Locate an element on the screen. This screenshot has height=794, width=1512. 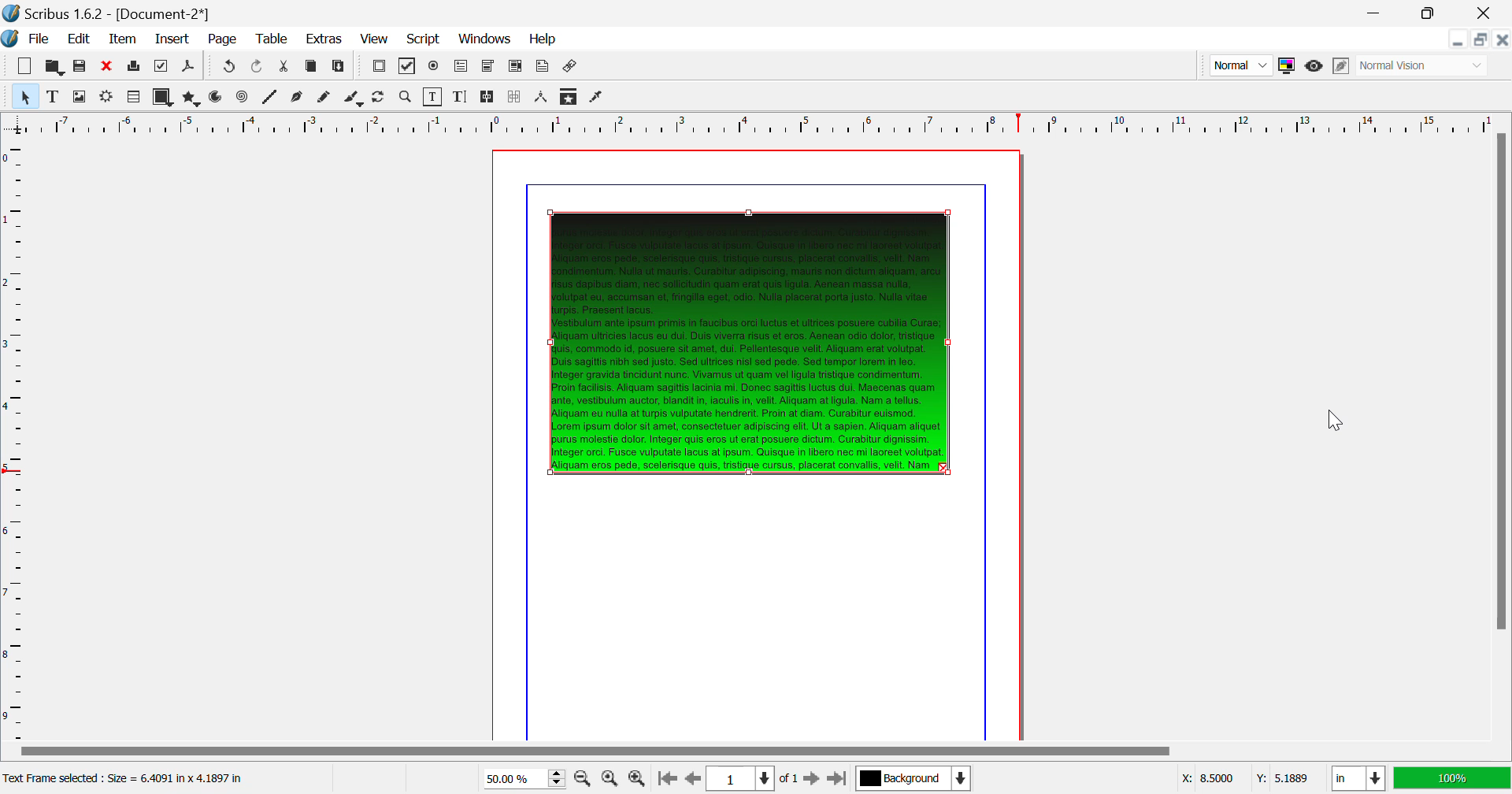
Paste is located at coordinates (340, 69).